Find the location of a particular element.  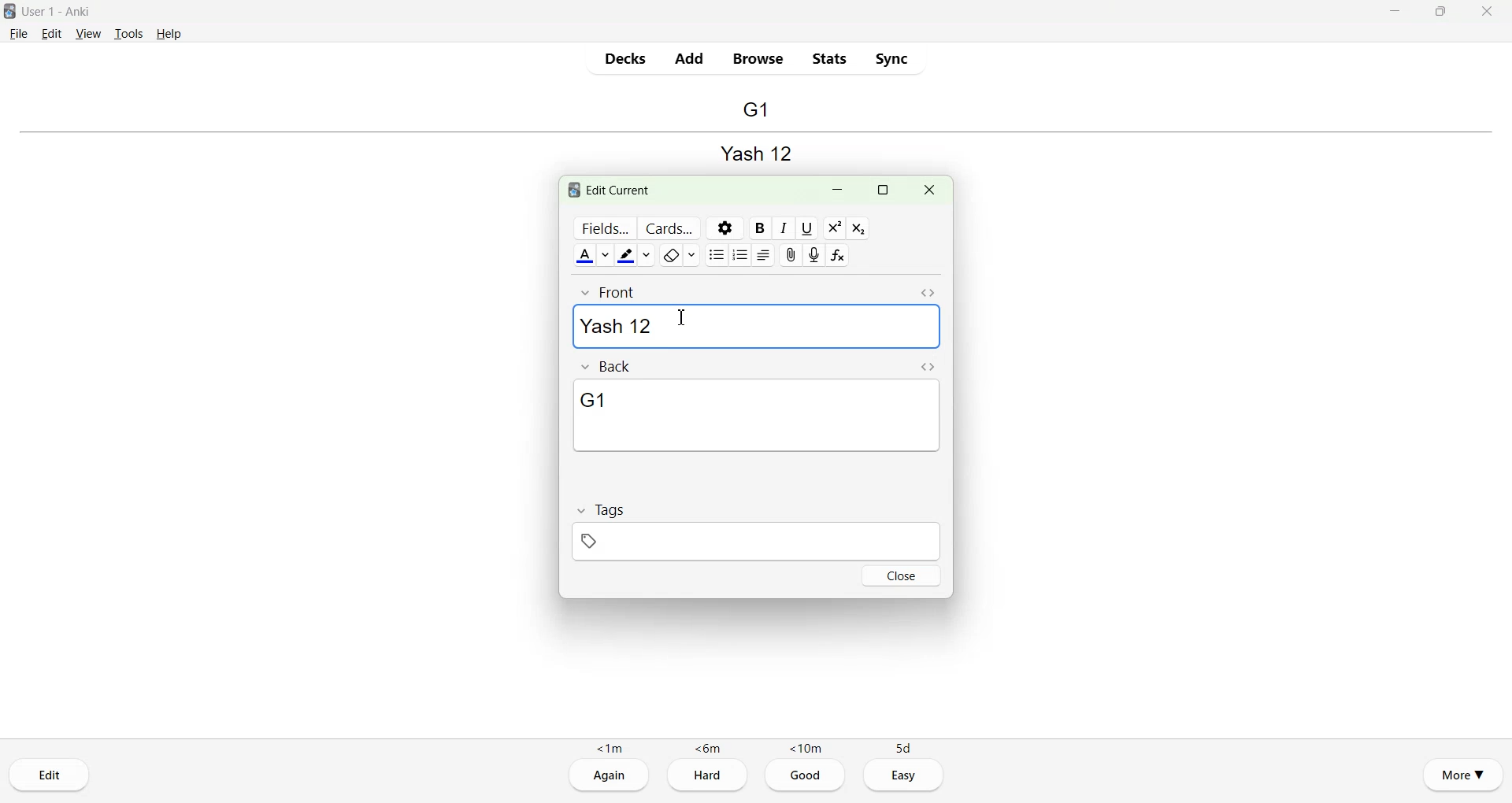

Unordered list is located at coordinates (717, 254).